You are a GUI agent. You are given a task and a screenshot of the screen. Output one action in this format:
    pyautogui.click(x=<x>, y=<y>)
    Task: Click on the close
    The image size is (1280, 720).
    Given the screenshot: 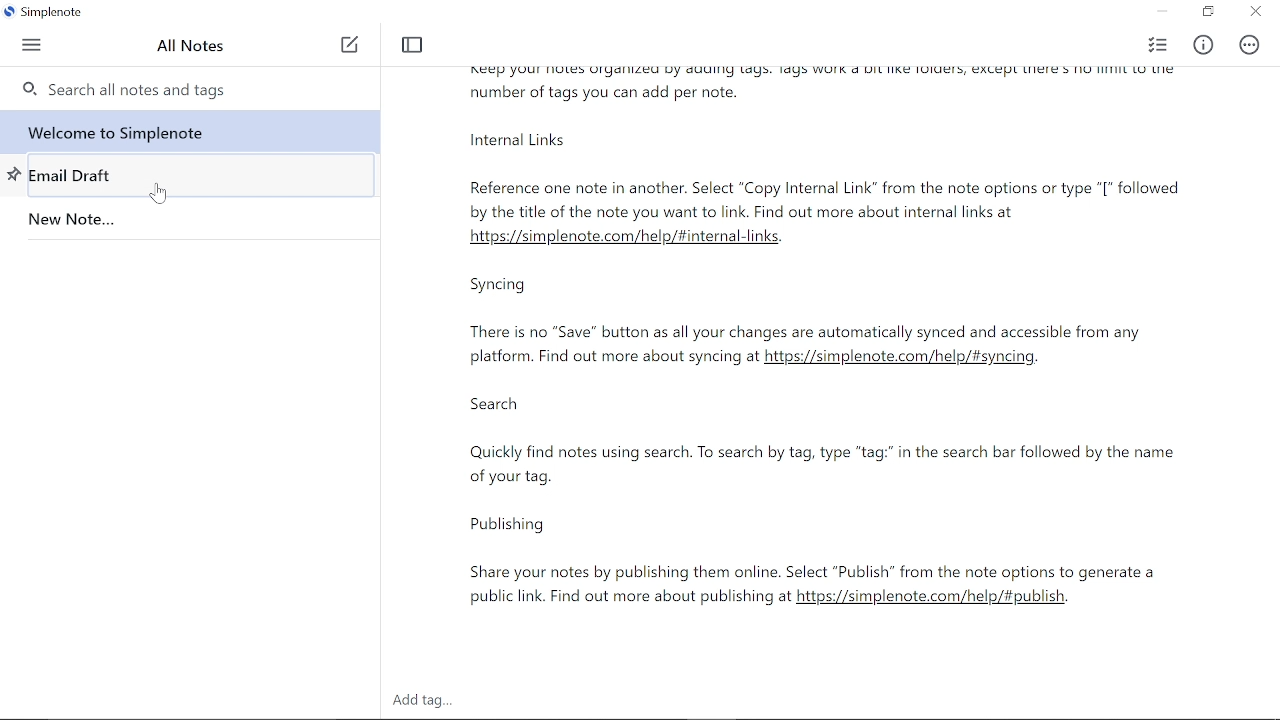 What is the action you would take?
    pyautogui.click(x=1255, y=13)
    